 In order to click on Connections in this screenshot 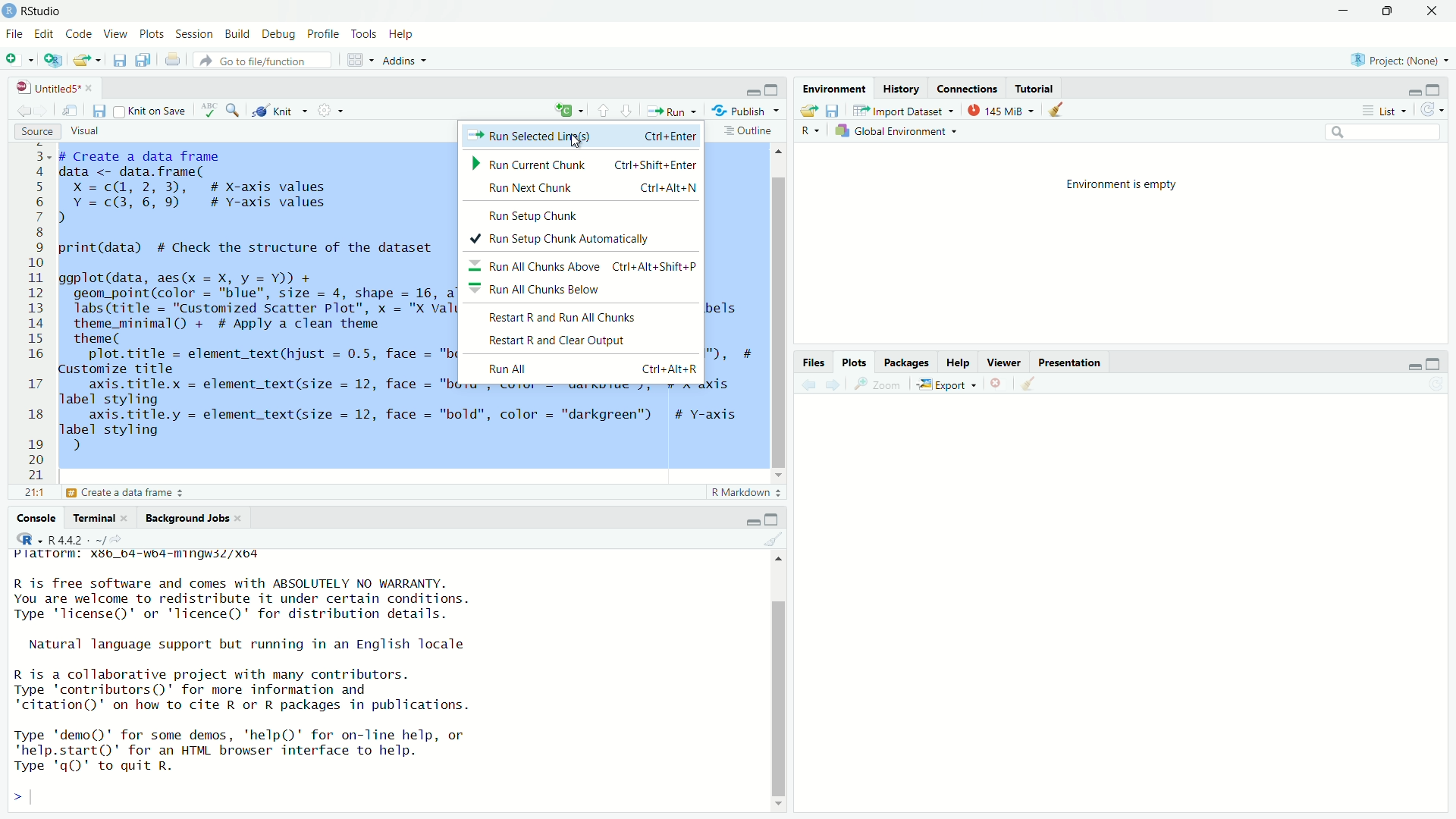, I will do `click(968, 90)`.